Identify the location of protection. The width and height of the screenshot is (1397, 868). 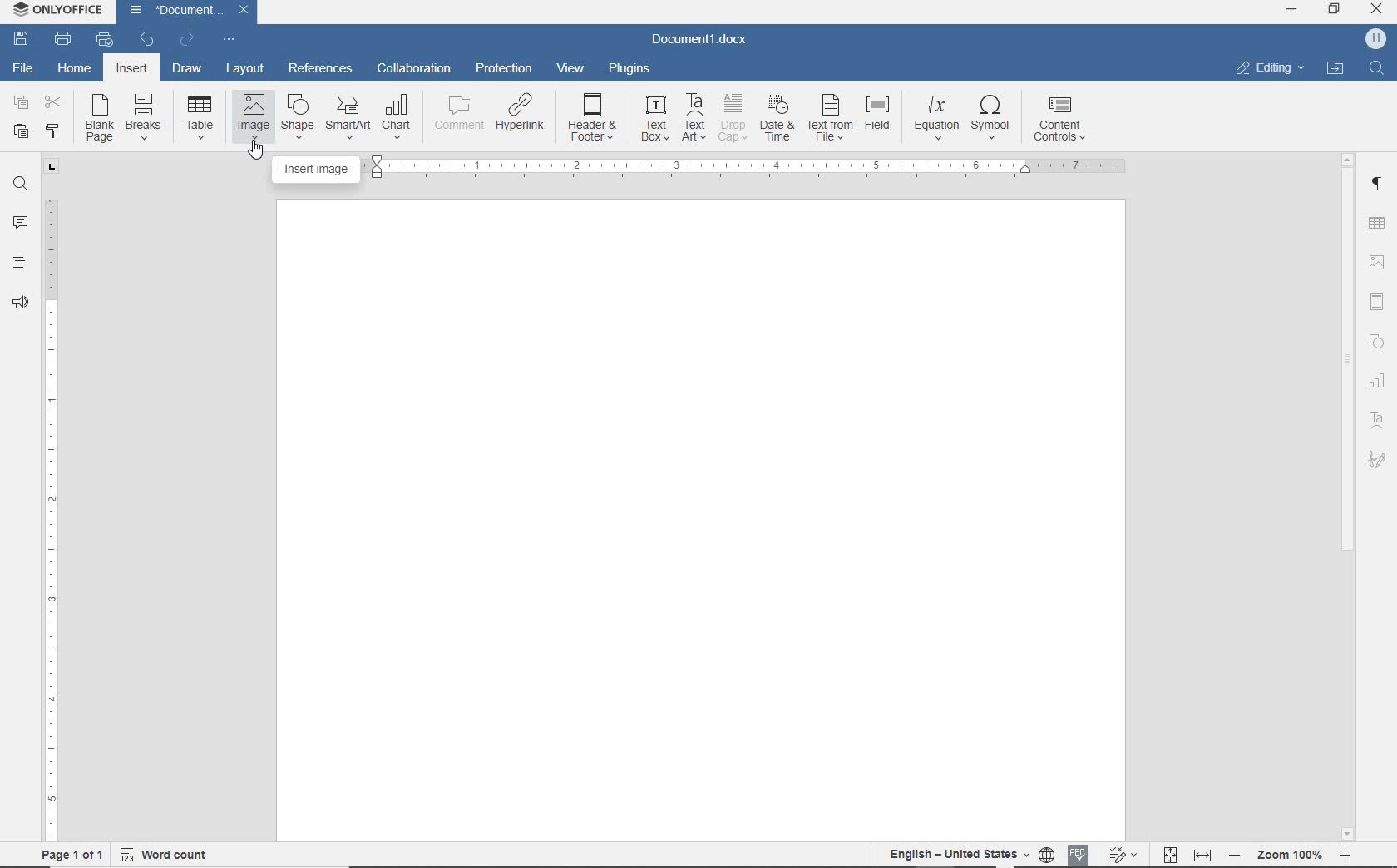
(505, 72).